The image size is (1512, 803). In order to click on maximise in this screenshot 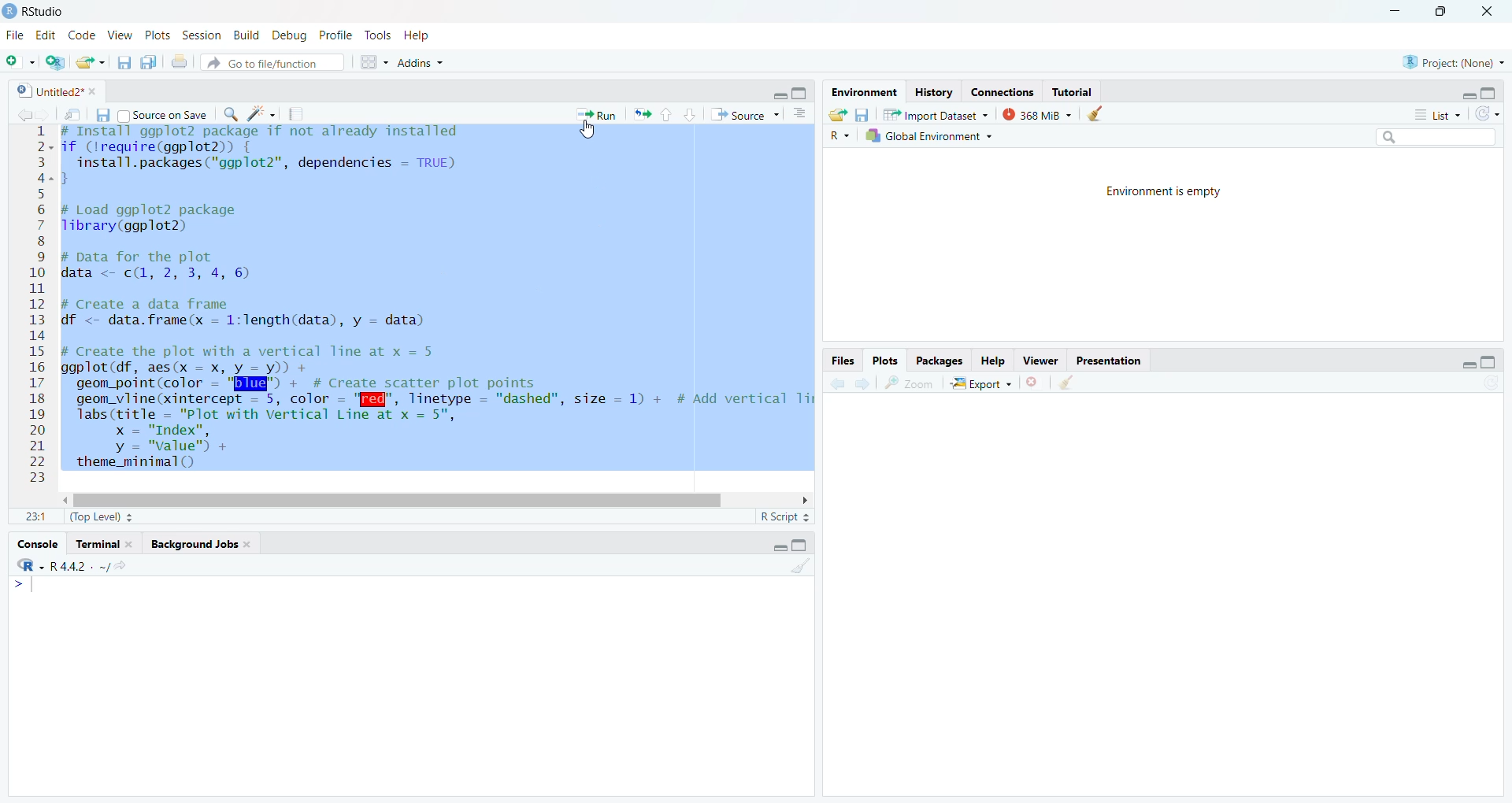, I will do `click(1491, 92)`.